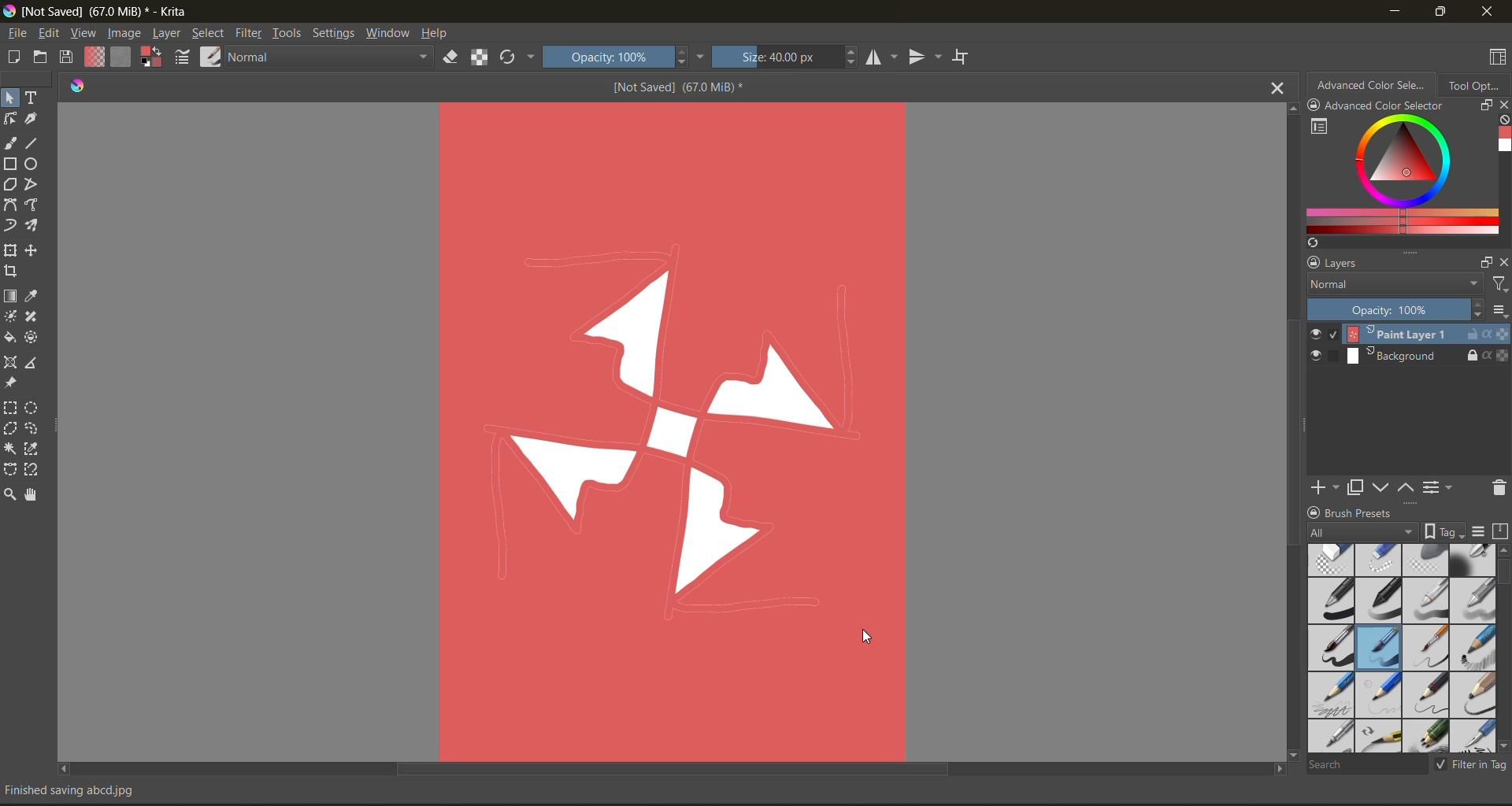 The height and width of the screenshot is (806, 1512). Describe the element at coordinates (42, 58) in the screenshot. I see `open` at that location.